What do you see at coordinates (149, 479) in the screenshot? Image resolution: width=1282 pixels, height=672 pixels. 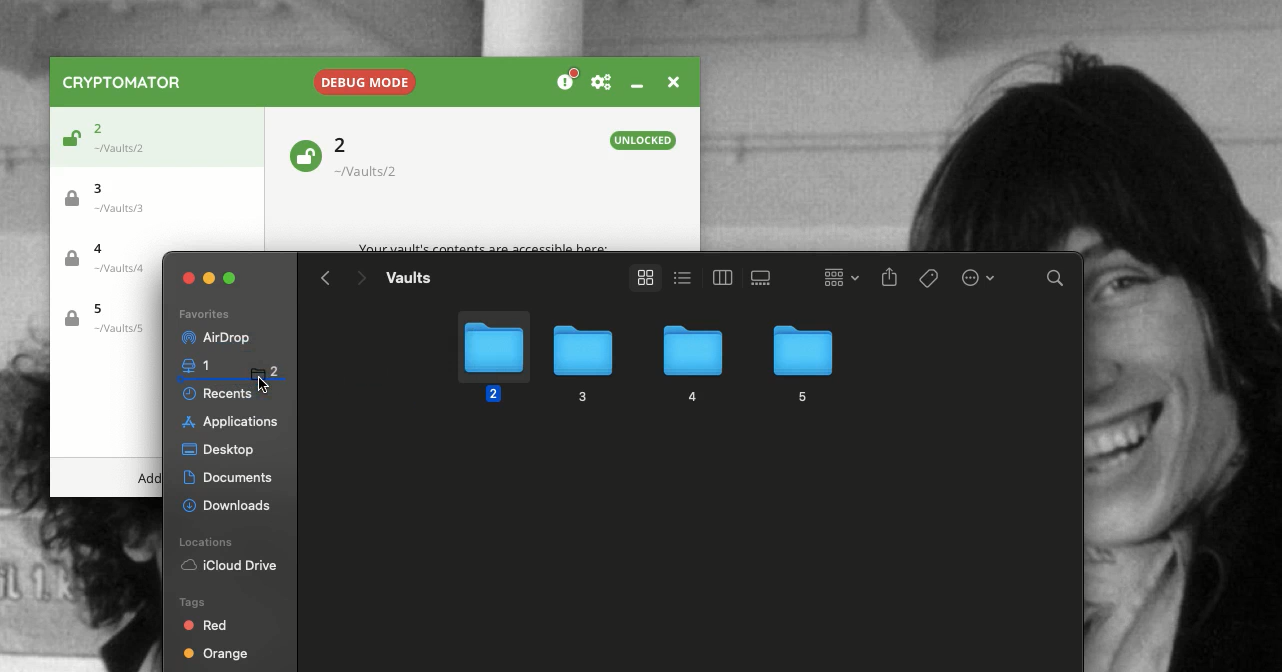 I see `Add menu` at bounding box center [149, 479].